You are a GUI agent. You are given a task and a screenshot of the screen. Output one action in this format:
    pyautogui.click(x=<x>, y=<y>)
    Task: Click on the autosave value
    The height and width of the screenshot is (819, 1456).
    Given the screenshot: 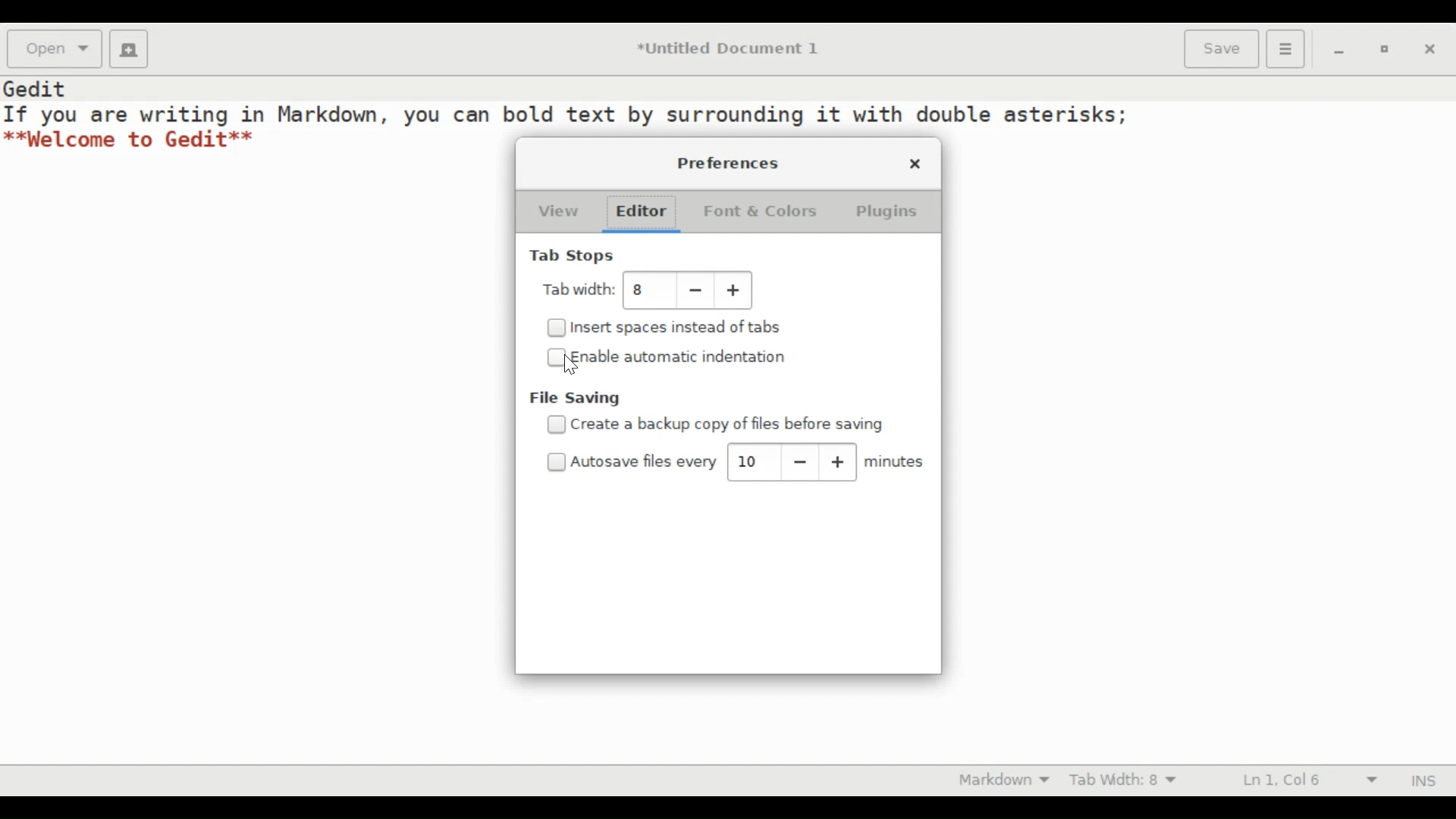 What is the action you would take?
    pyautogui.click(x=753, y=463)
    